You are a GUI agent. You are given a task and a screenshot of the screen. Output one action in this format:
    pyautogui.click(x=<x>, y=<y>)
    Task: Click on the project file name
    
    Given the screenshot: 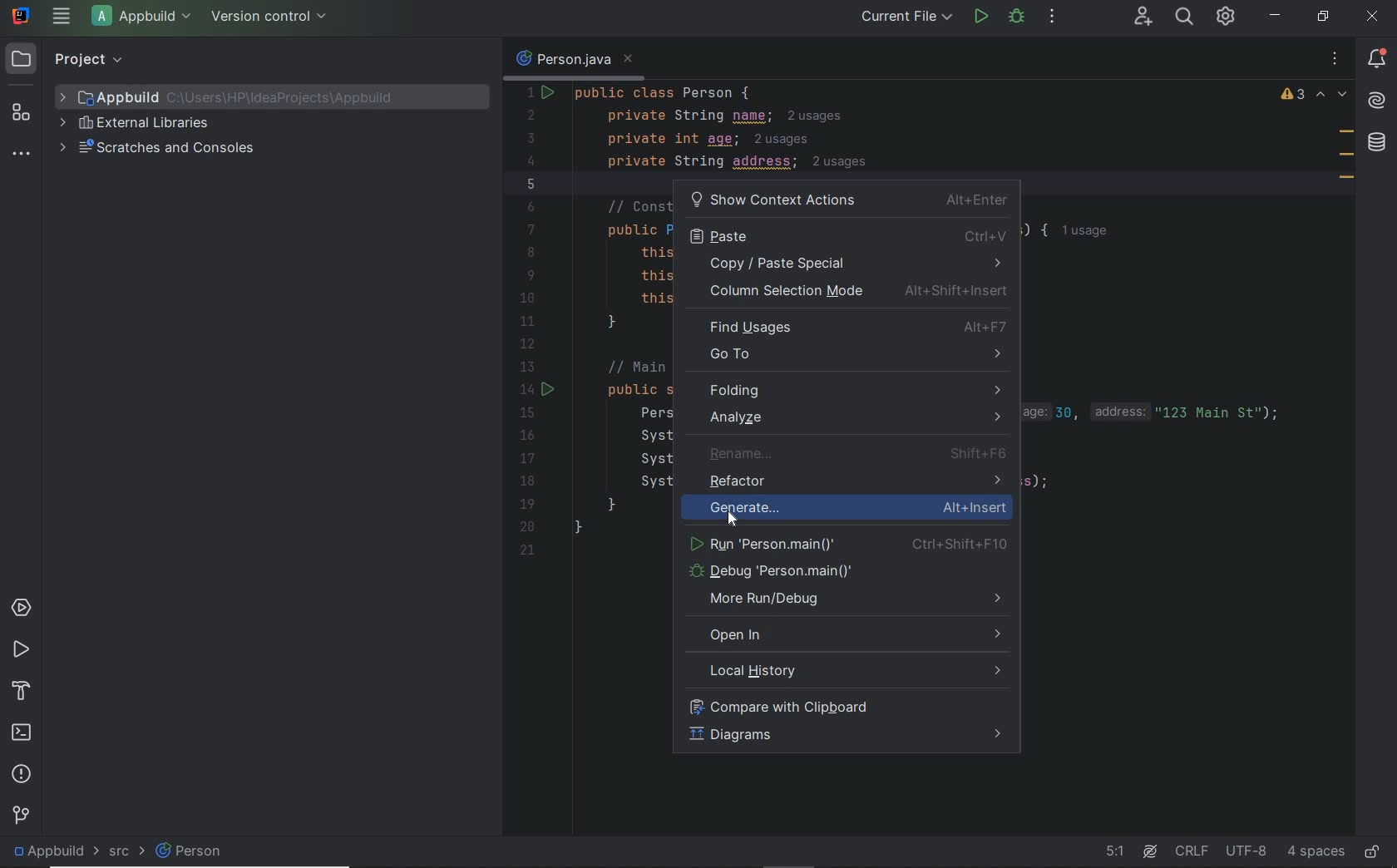 What is the action you would take?
    pyautogui.click(x=47, y=850)
    